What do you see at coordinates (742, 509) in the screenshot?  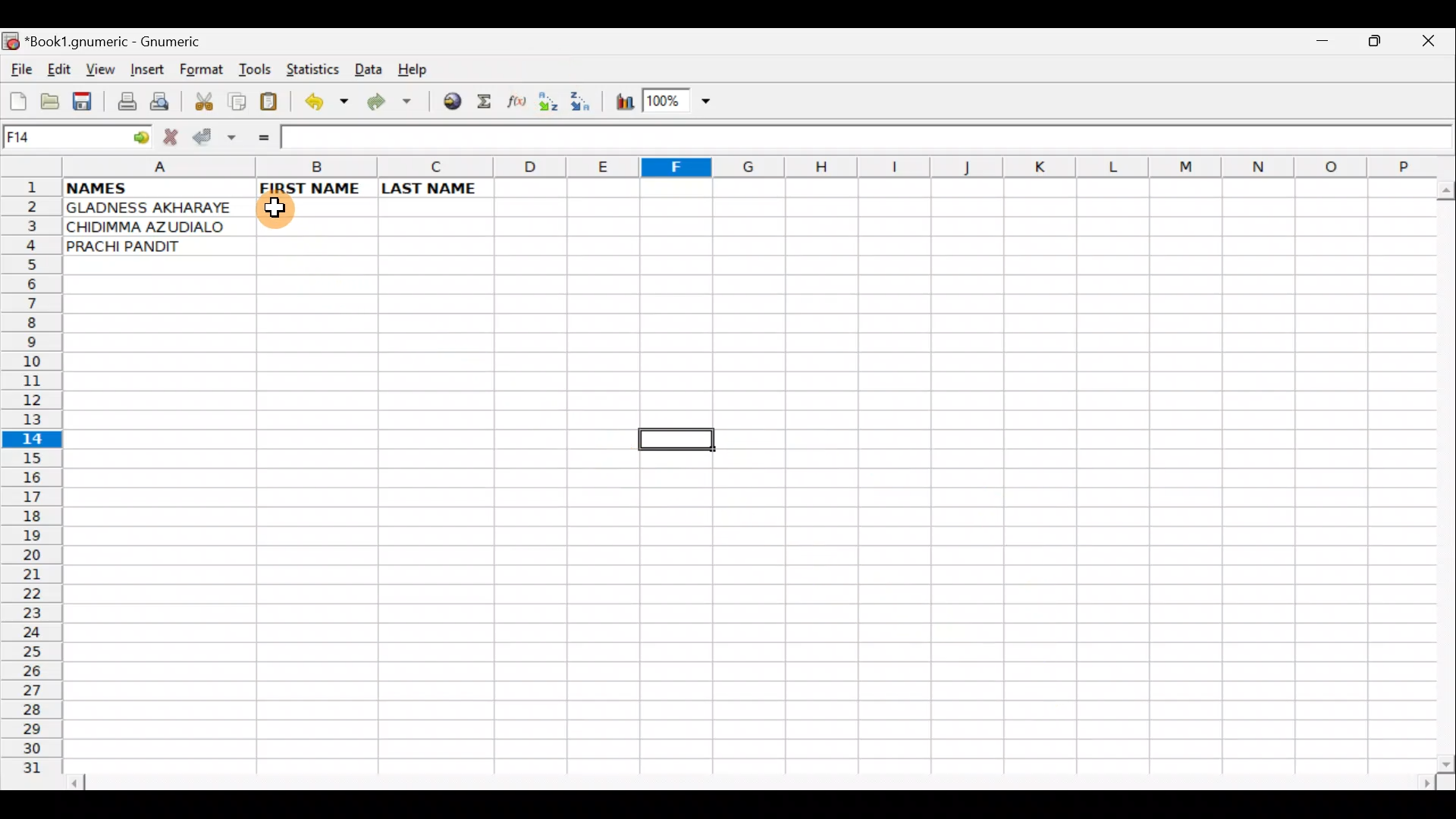 I see `Cells` at bounding box center [742, 509].